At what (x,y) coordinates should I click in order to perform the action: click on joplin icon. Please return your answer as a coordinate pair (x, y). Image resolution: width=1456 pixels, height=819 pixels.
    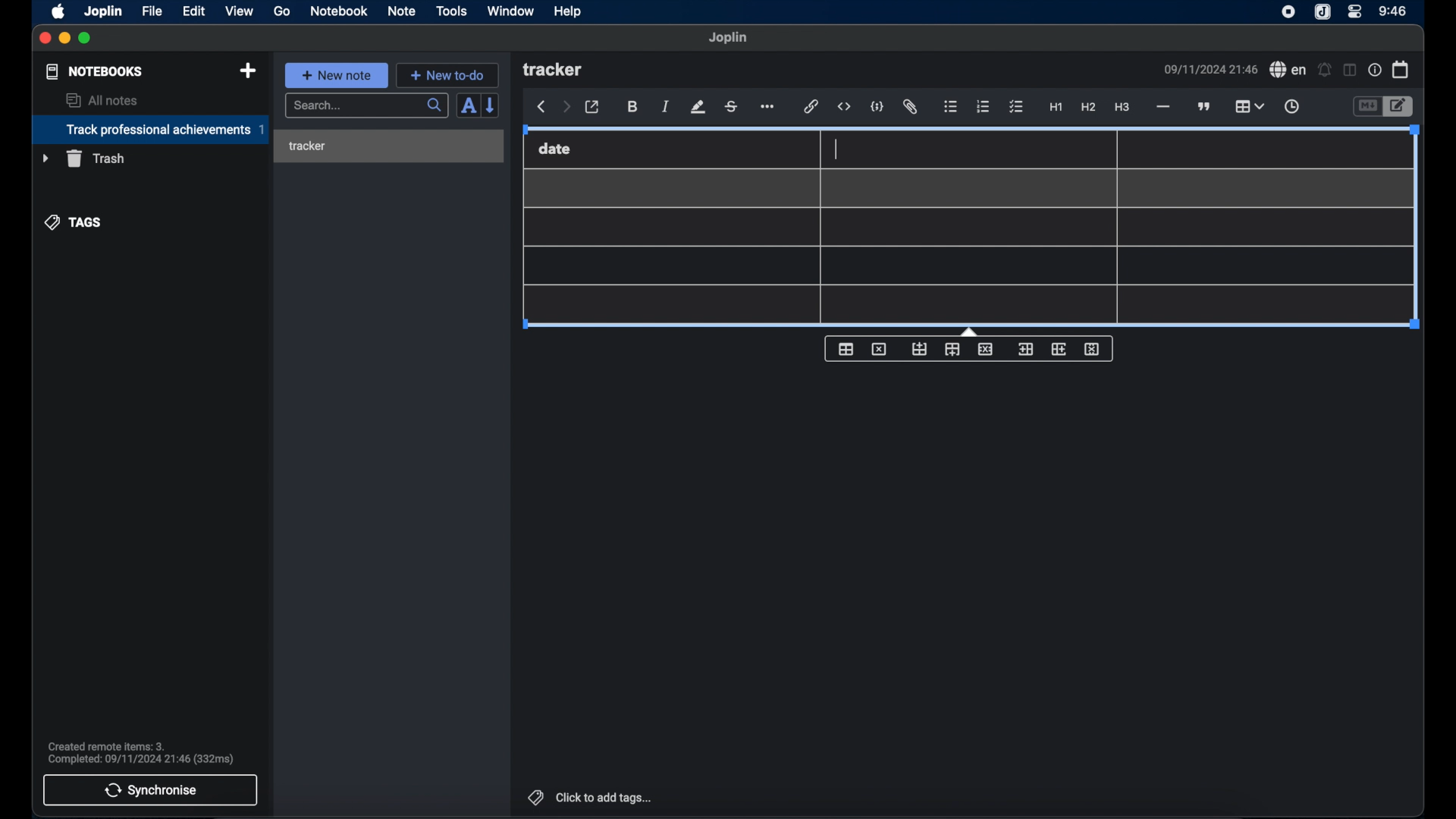
    Looking at the image, I should click on (1288, 13).